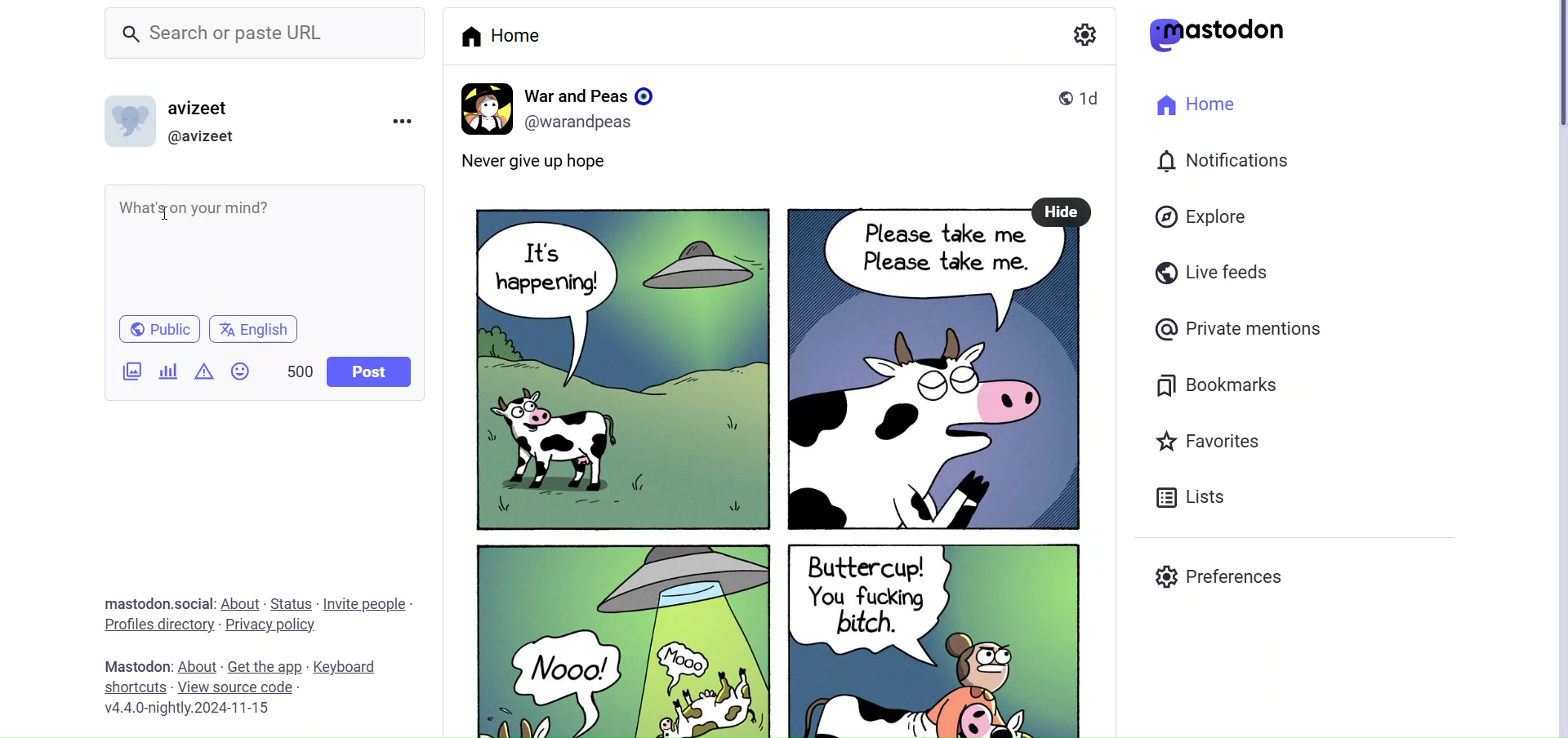 Image resolution: width=1568 pixels, height=738 pixels. Describe the element at coordinates (133, 124) in the screenshot. I see `Profile Picture` at that location.